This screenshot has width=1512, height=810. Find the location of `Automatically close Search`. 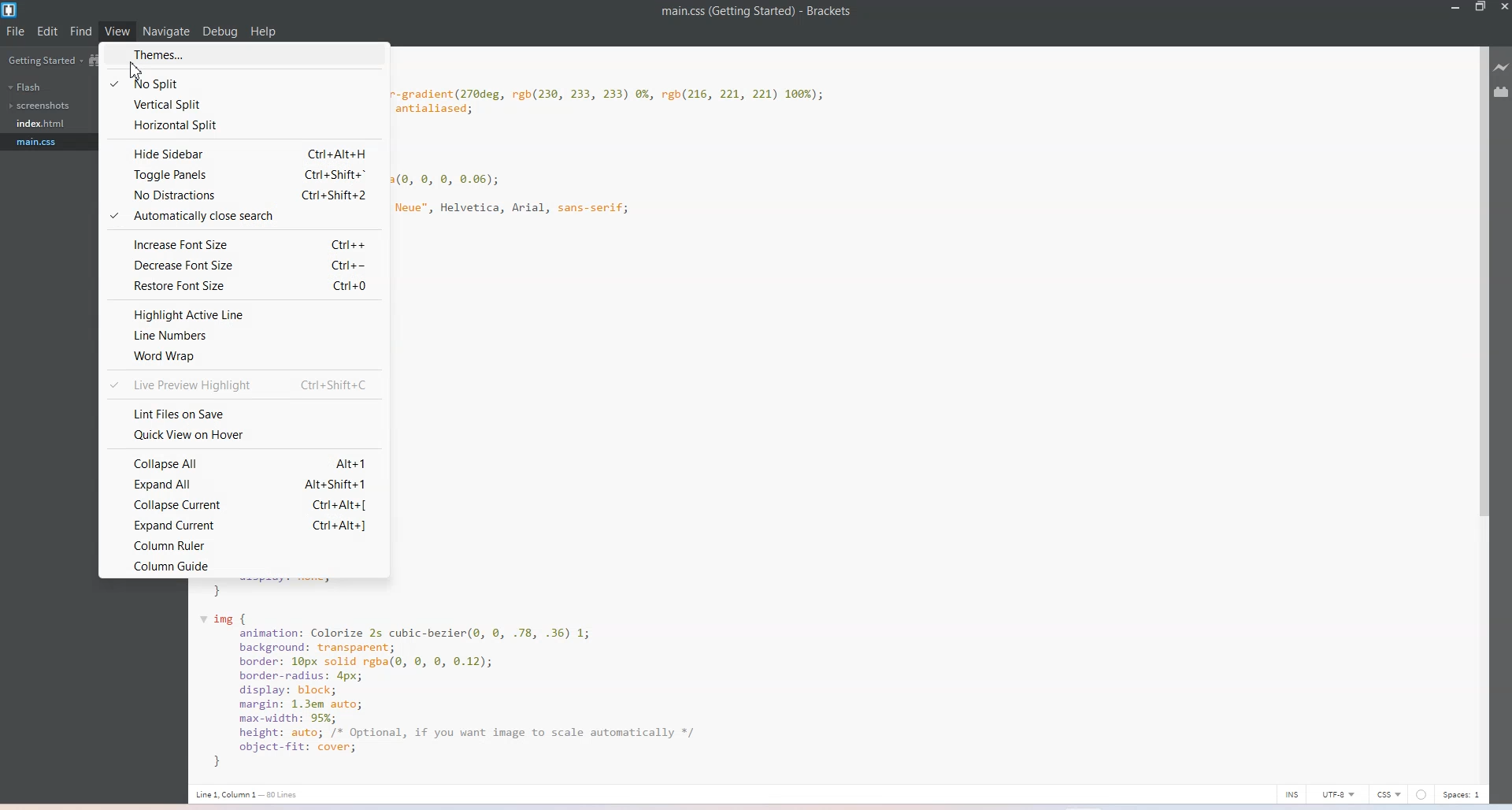

Automatically close Search is located at coordinates (244, 216).